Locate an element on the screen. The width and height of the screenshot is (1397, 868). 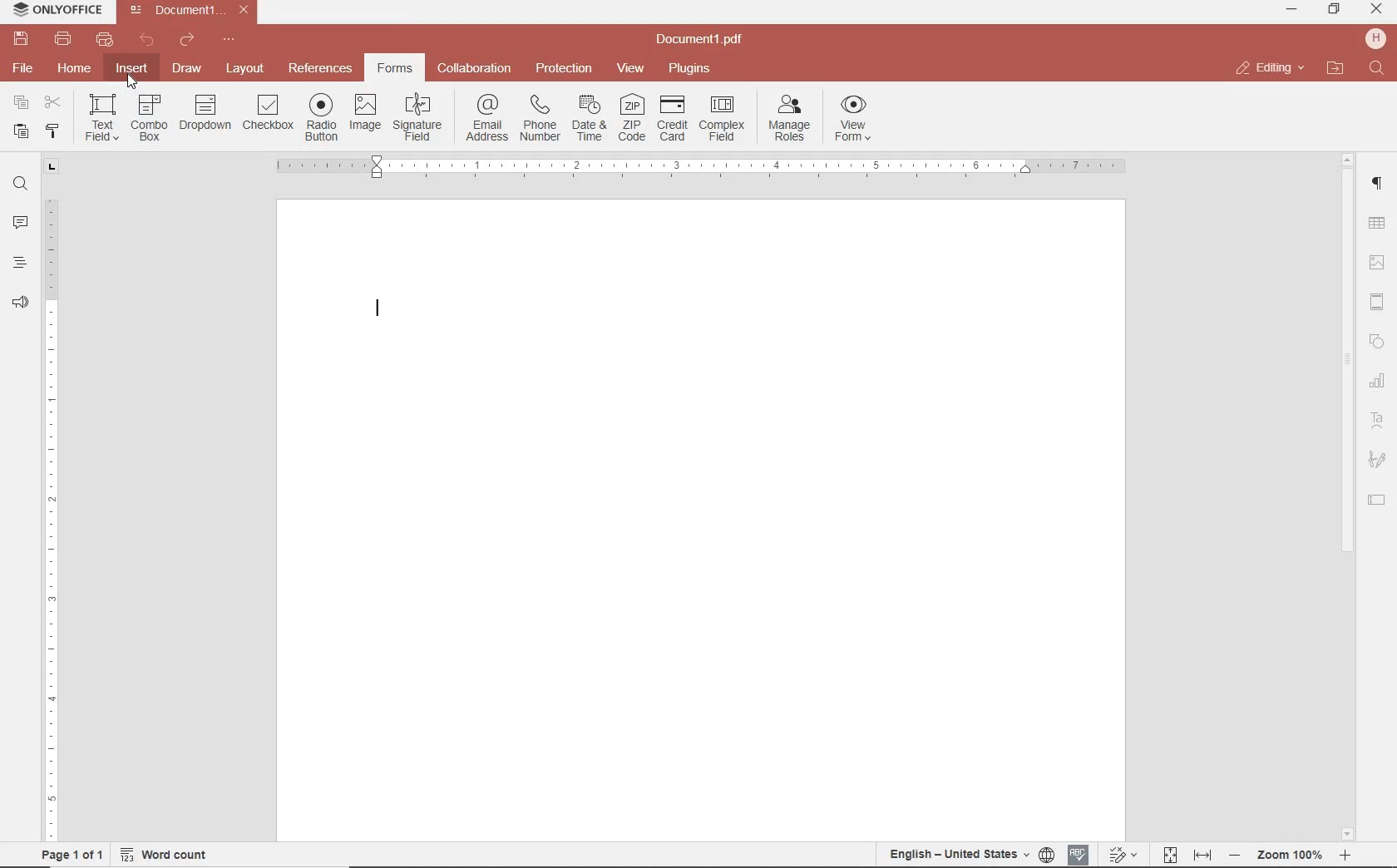
file name is located at coordinates (704, 40).